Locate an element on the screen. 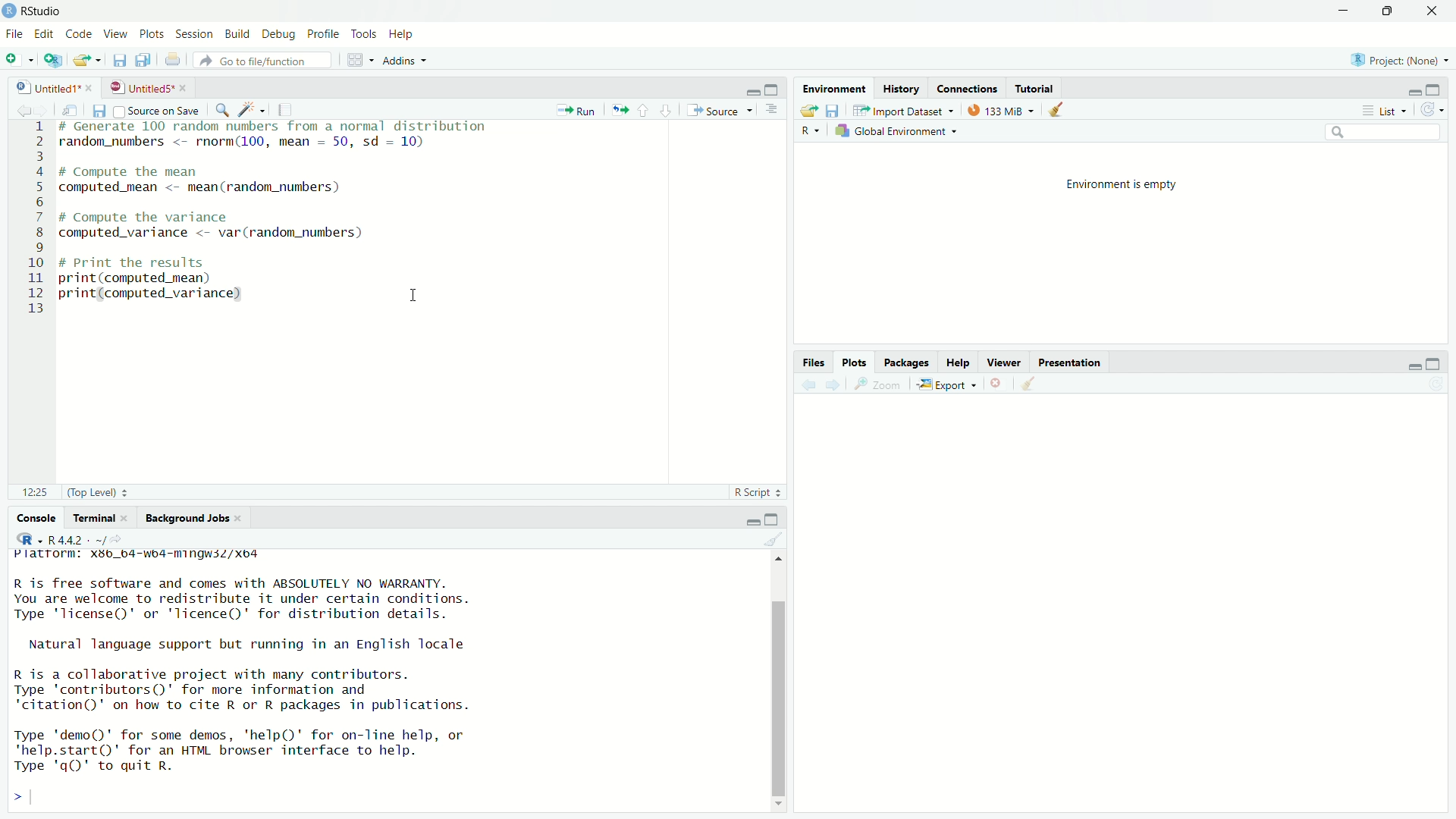  computed_variance <- var (random_numbers) is located at coordinates (227, 232).